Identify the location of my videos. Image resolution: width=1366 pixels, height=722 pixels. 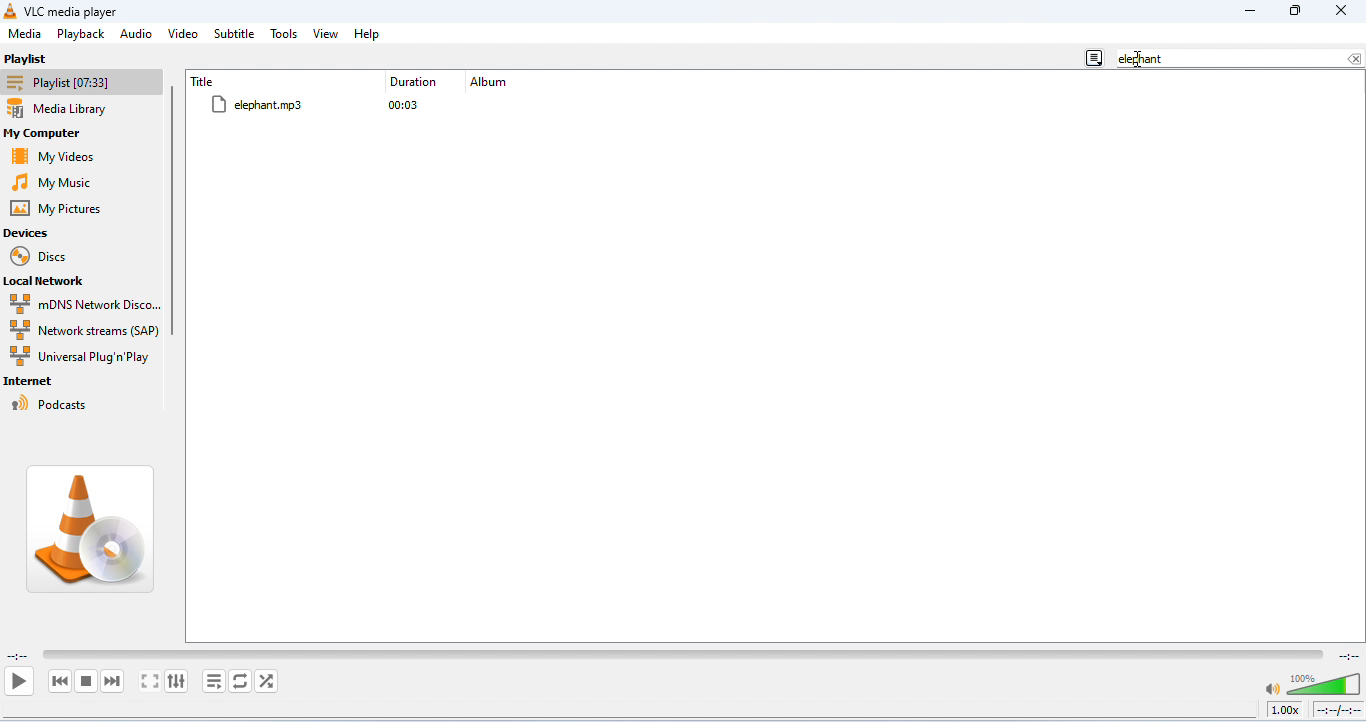
(59, 156).